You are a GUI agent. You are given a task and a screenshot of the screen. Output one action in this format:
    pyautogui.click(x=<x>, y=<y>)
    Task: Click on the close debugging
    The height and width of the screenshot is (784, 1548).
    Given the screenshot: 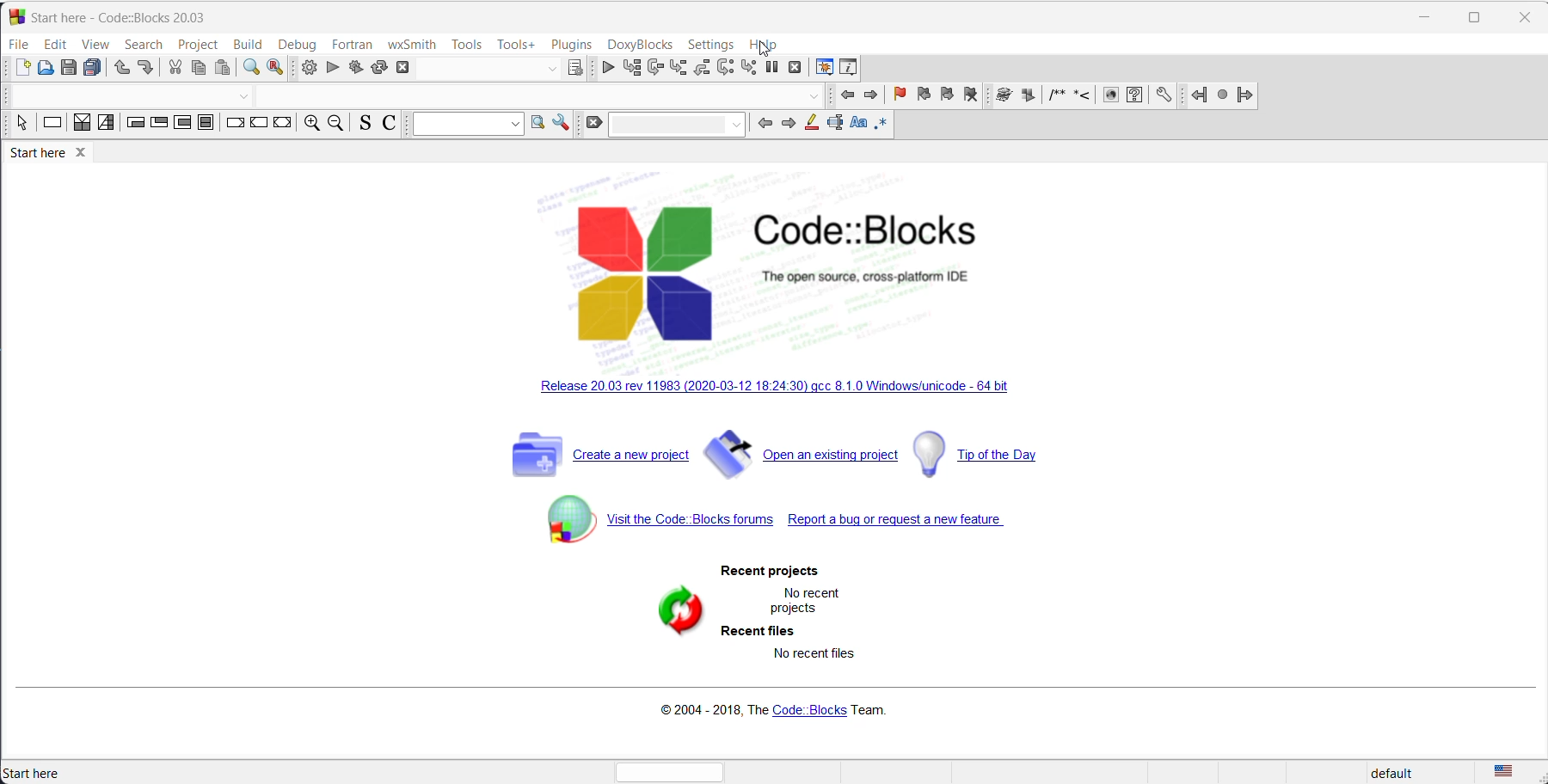 What is the action you would take?
    pyautogui.click(x=794, y=67)
    